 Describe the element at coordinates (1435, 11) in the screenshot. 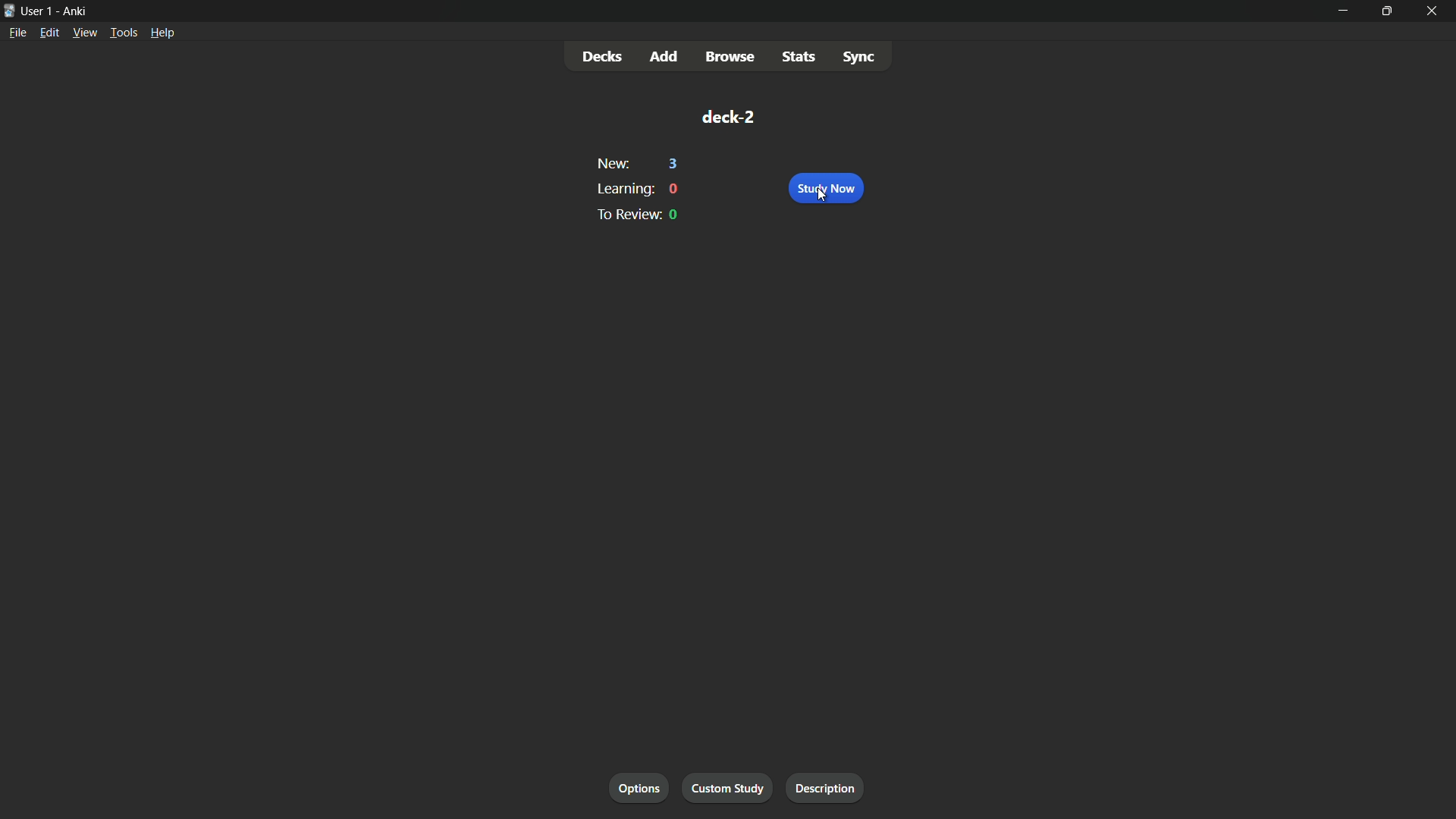

I see `close app` at that location.